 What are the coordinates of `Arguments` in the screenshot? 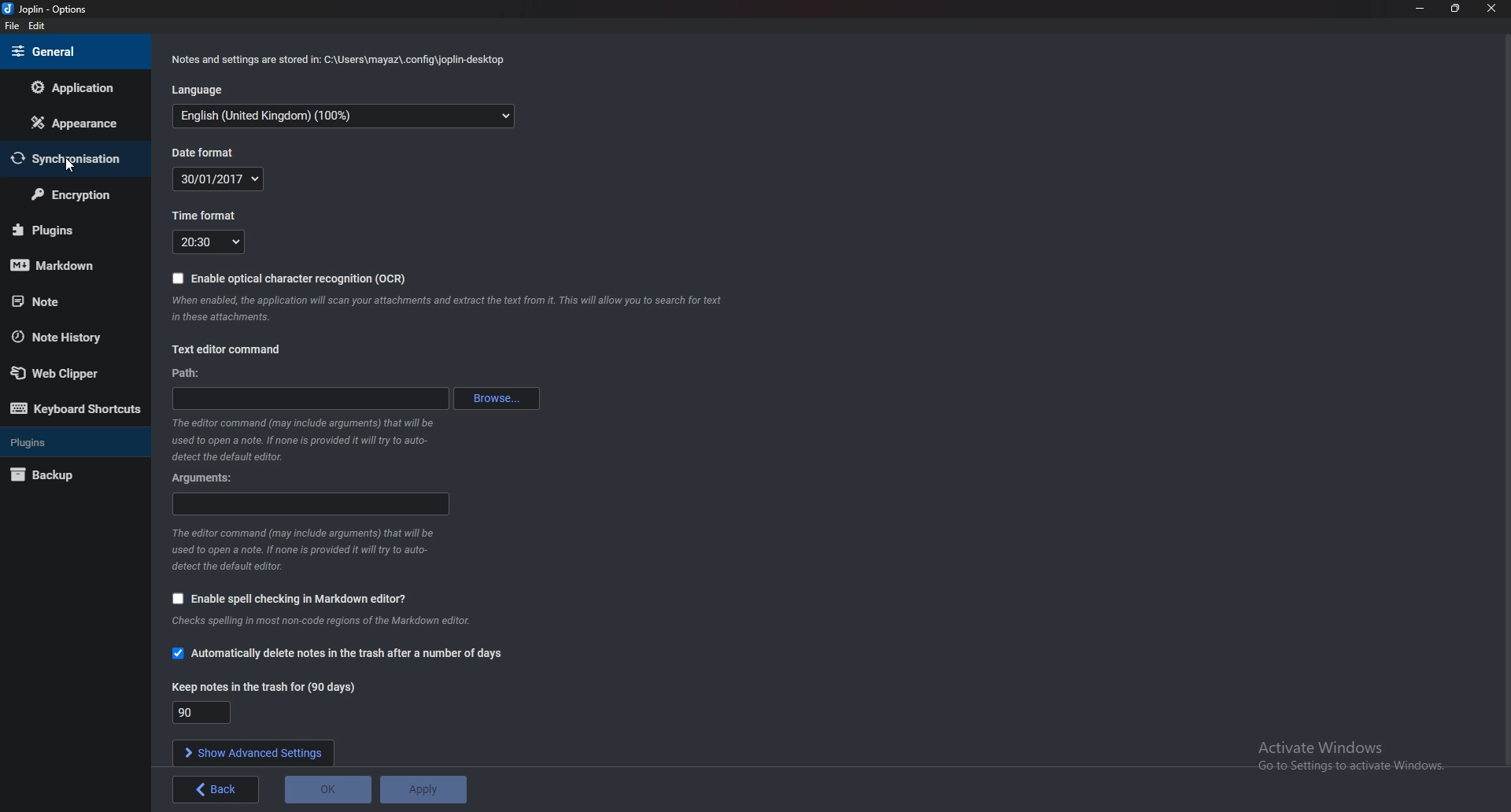 It's located at (200, 477).